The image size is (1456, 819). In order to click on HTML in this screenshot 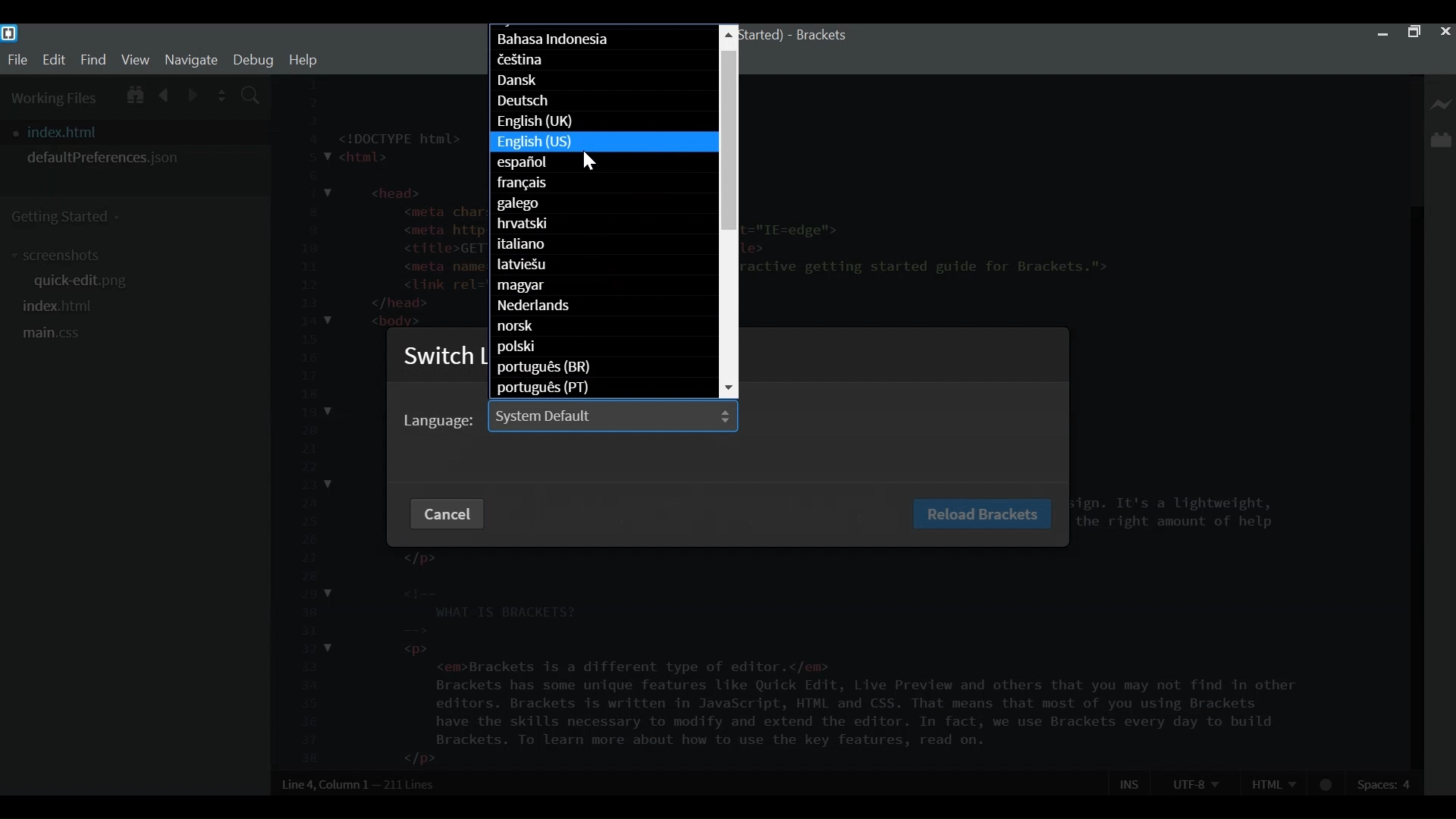, I will do `click(1273, 783)`.